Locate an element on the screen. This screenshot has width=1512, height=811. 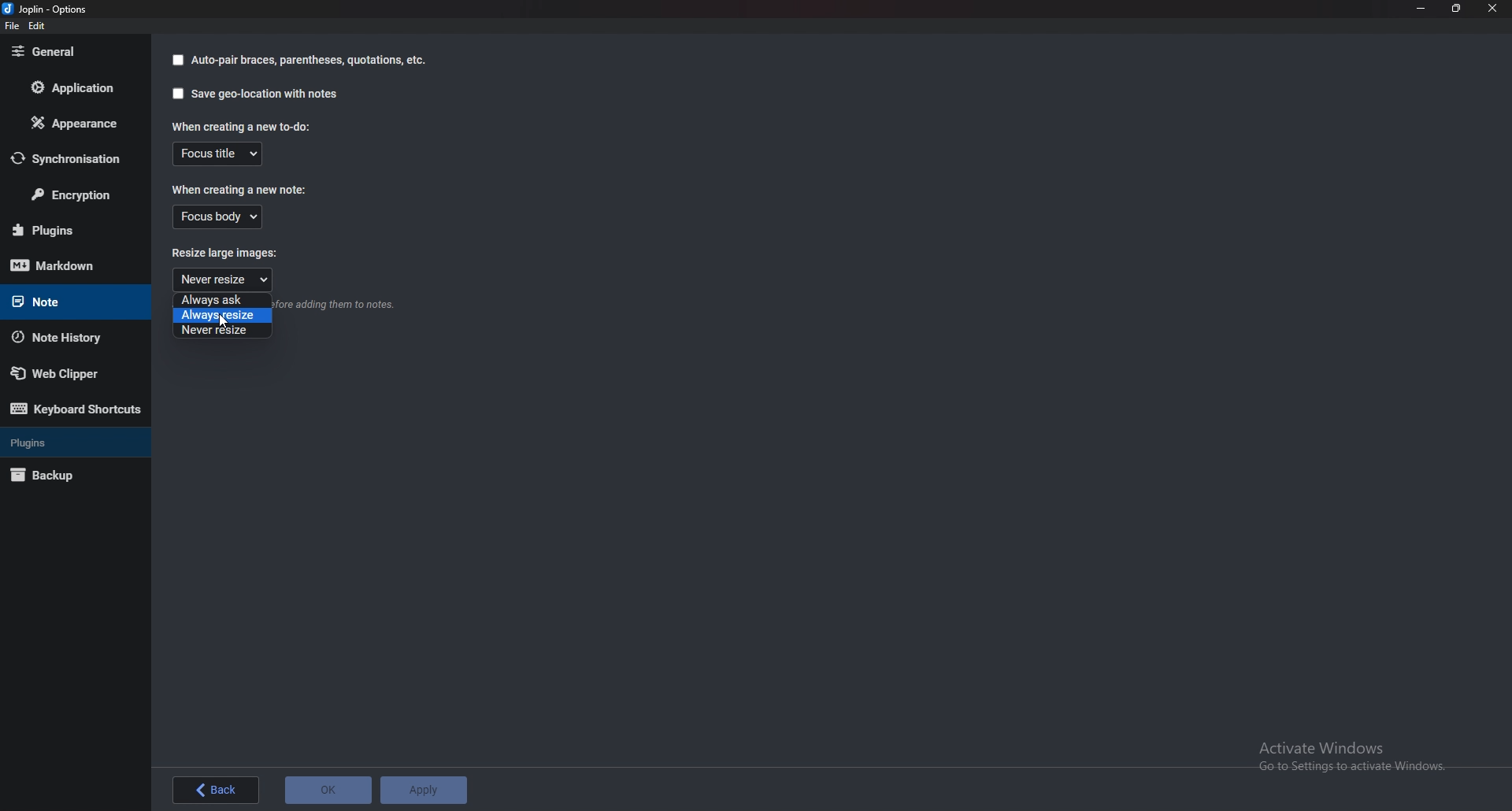
Focus title is located at coordinates (218, 154).